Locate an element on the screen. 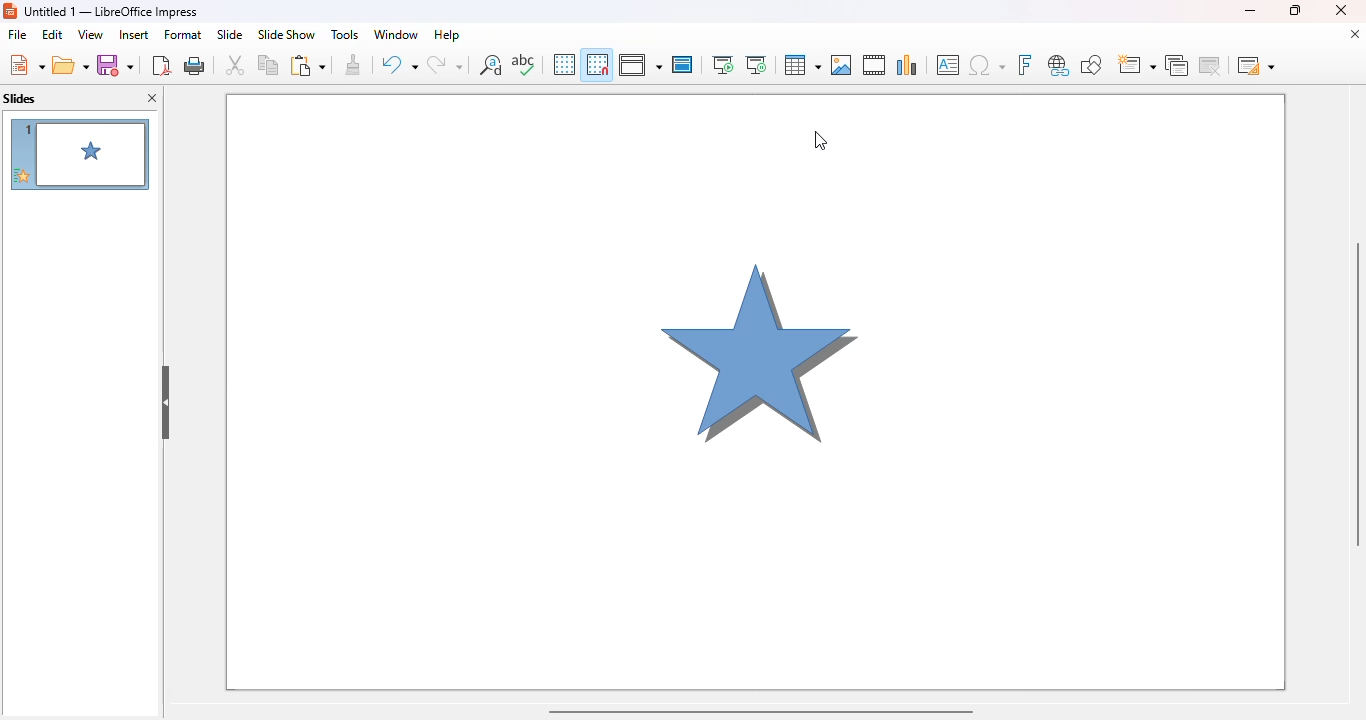 Image resolution: width=1366 pixels, height=720 pixels. show draw functions is located at coordinates (1091, 66).